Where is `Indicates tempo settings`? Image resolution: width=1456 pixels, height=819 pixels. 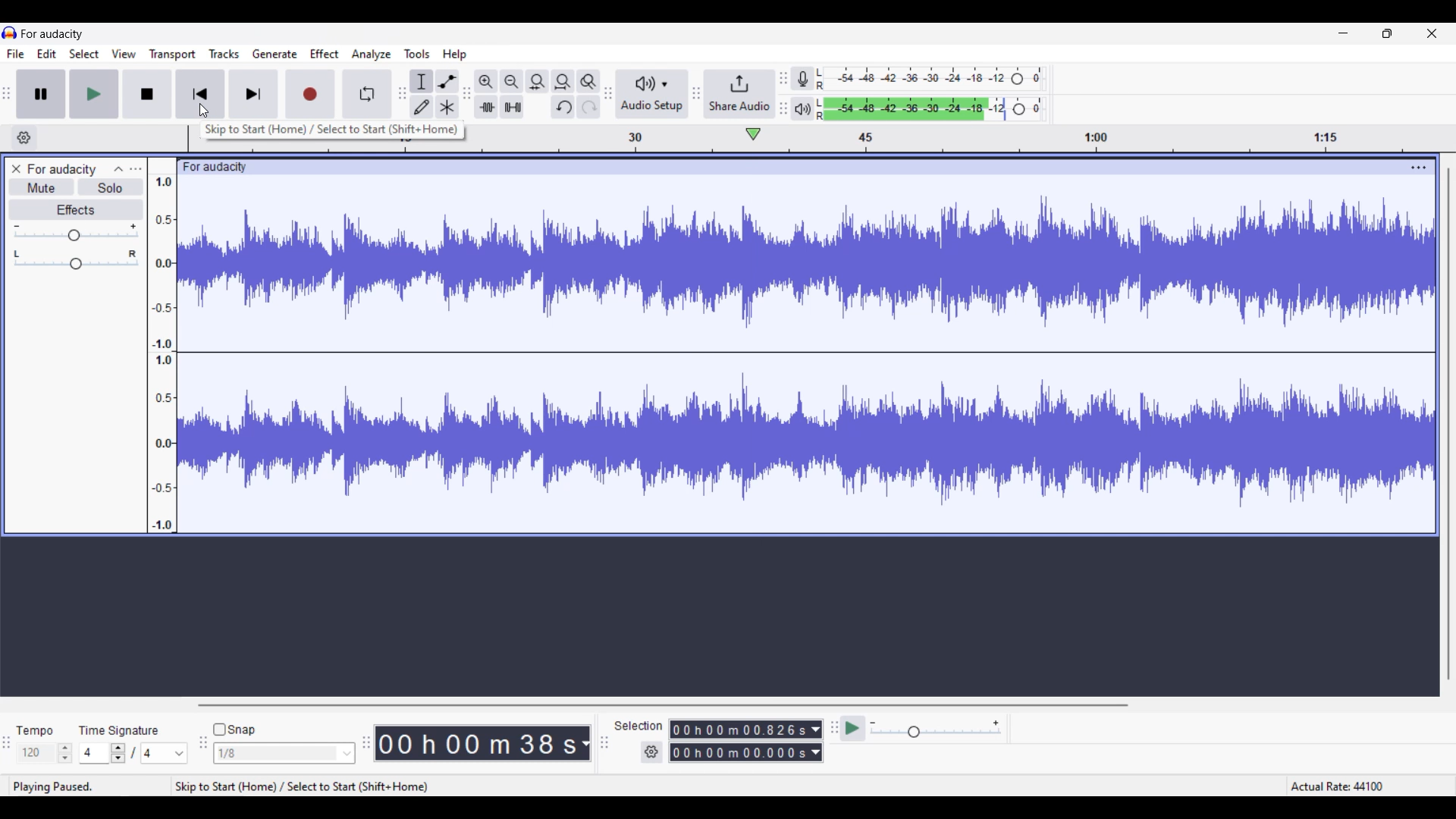 Indicates tempo settings is located at coordinates (35, 730).